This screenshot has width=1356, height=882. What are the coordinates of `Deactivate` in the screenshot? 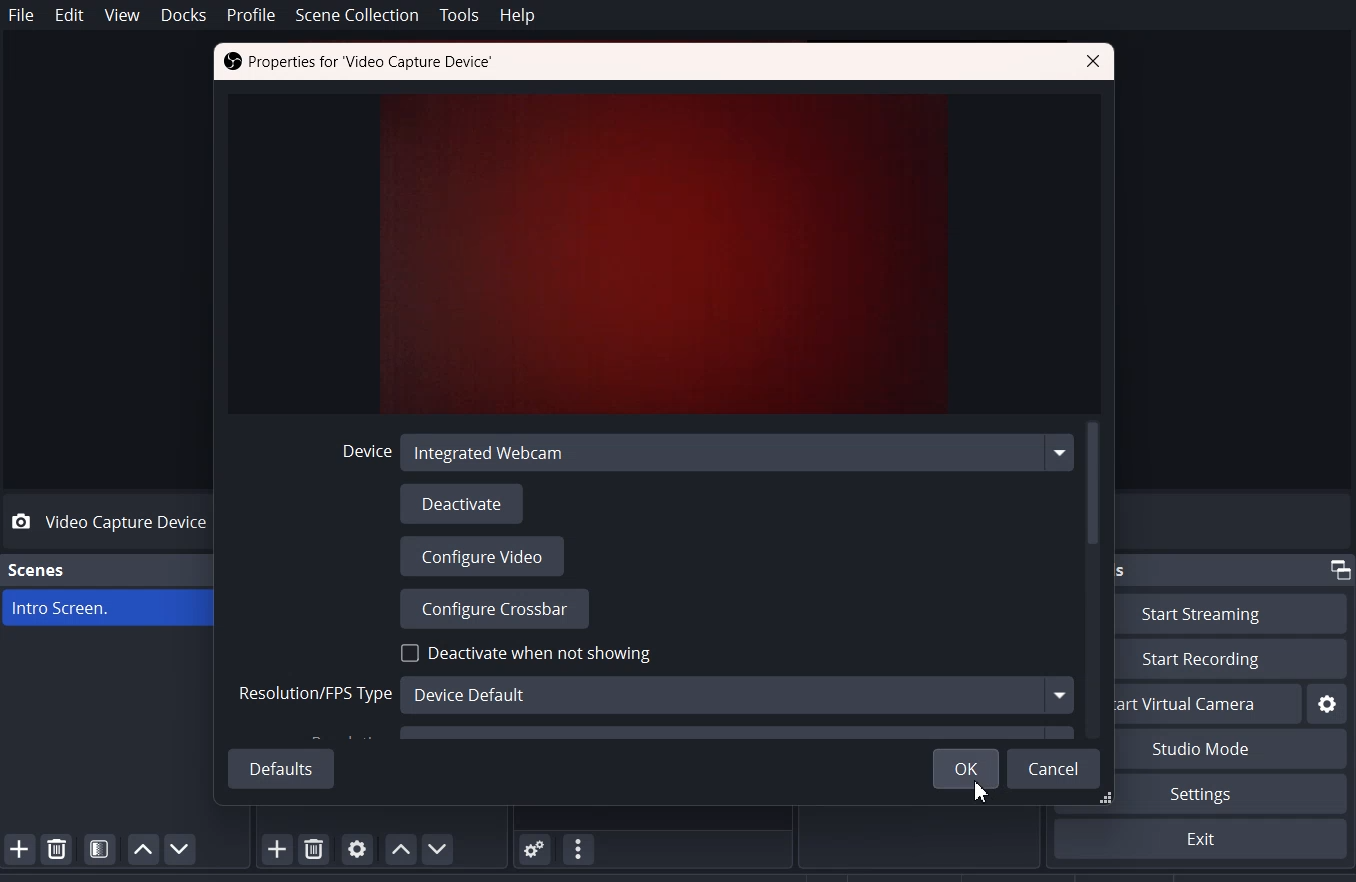 It's located at (464, 504).